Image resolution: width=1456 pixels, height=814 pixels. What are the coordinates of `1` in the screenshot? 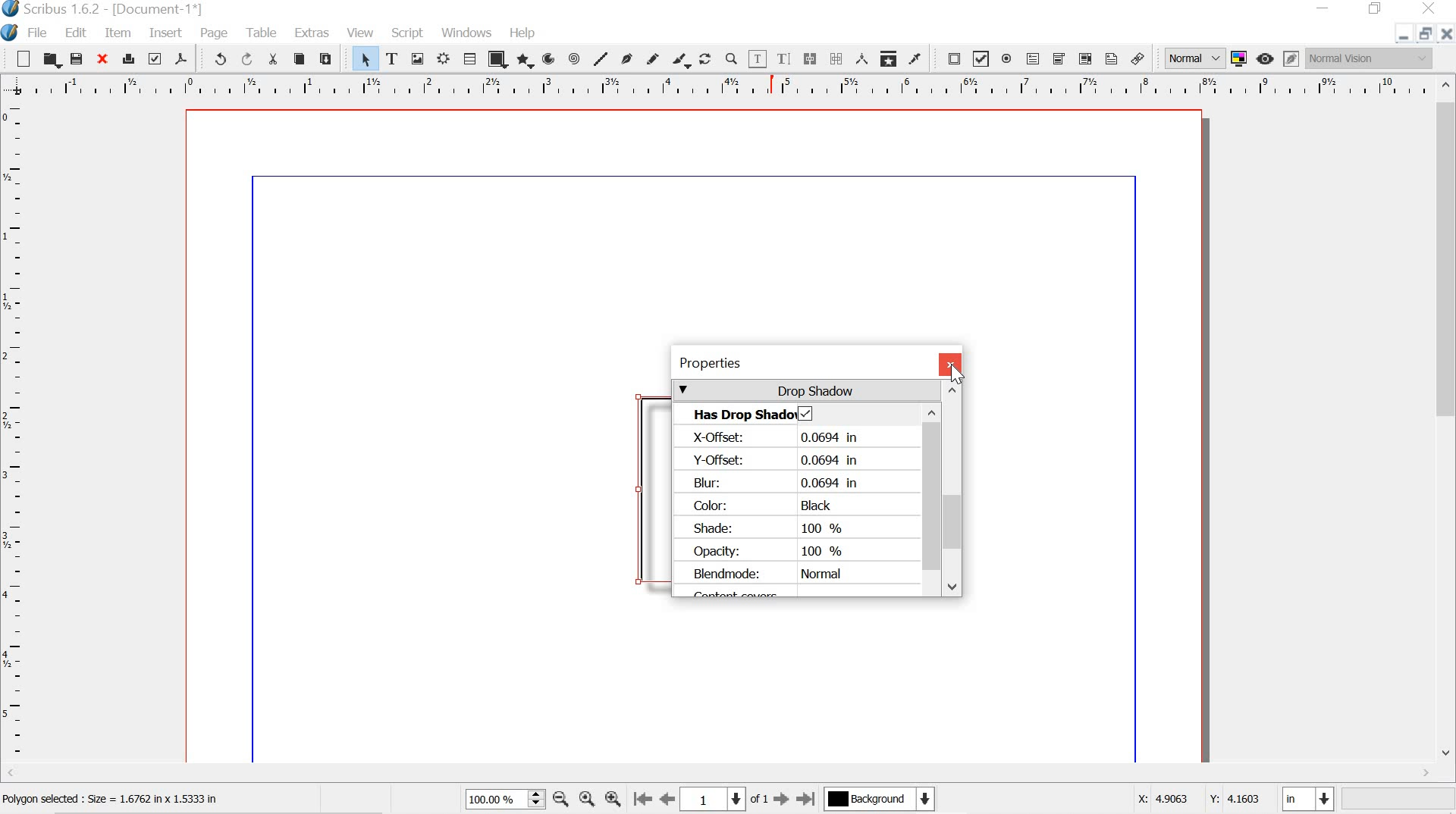 It's located at (714, 798).